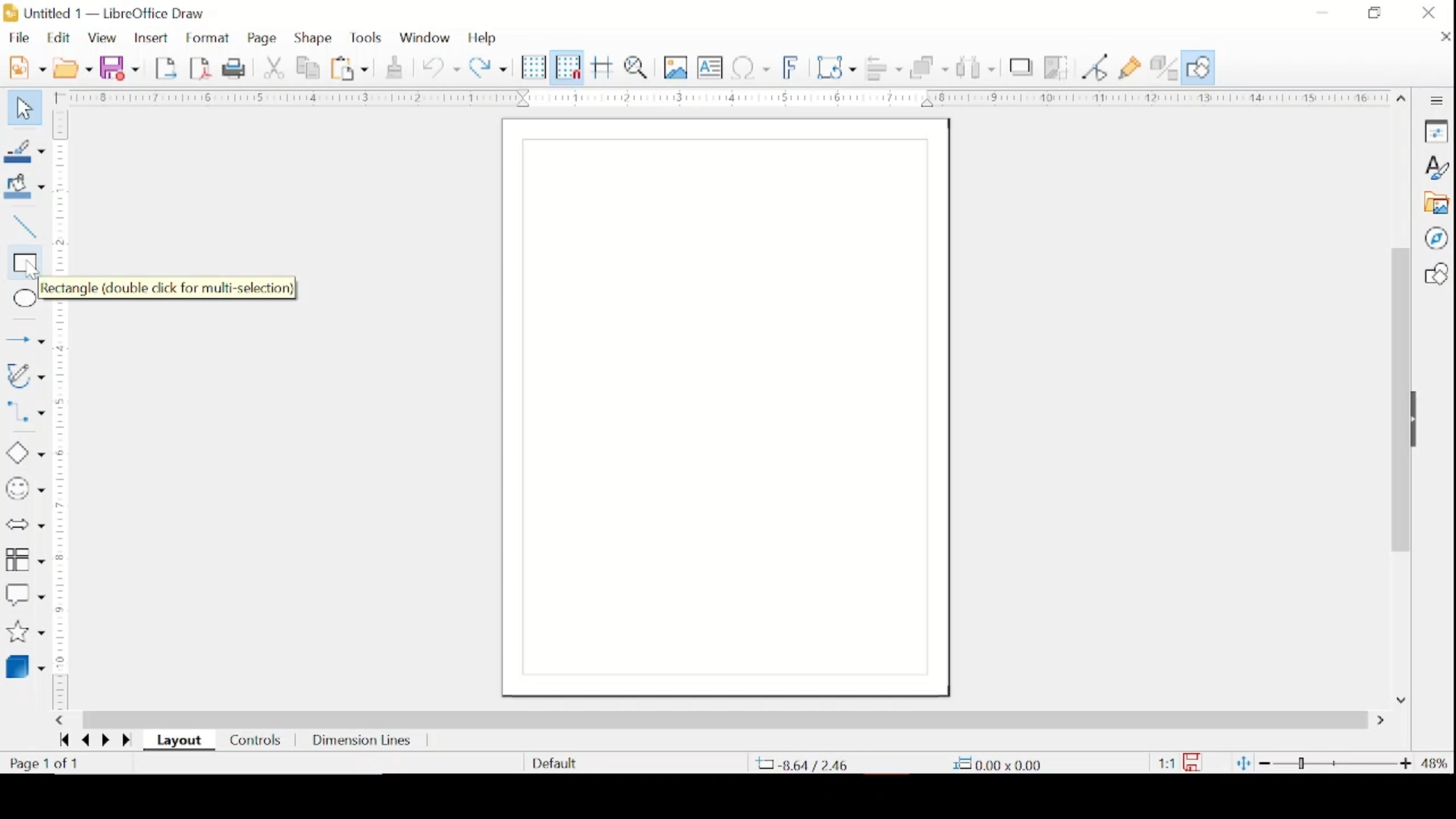 The image size is (1456, 819). Describe the element at coordinates (441, 68) in the screenshot. I see `undo` at that location.